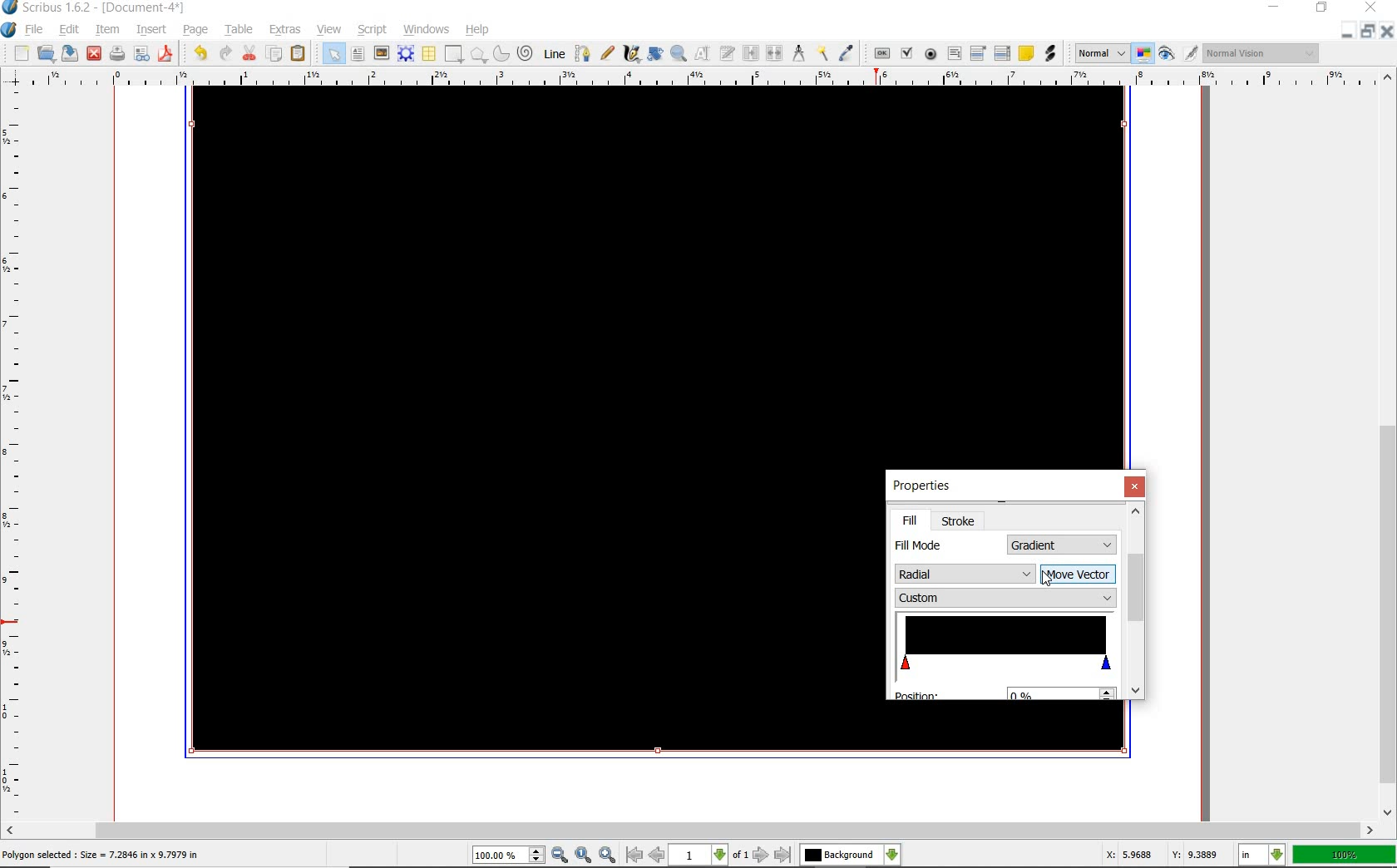 This screenshot has height=868, width=1397. I want to click on fill, so click(909, 520).